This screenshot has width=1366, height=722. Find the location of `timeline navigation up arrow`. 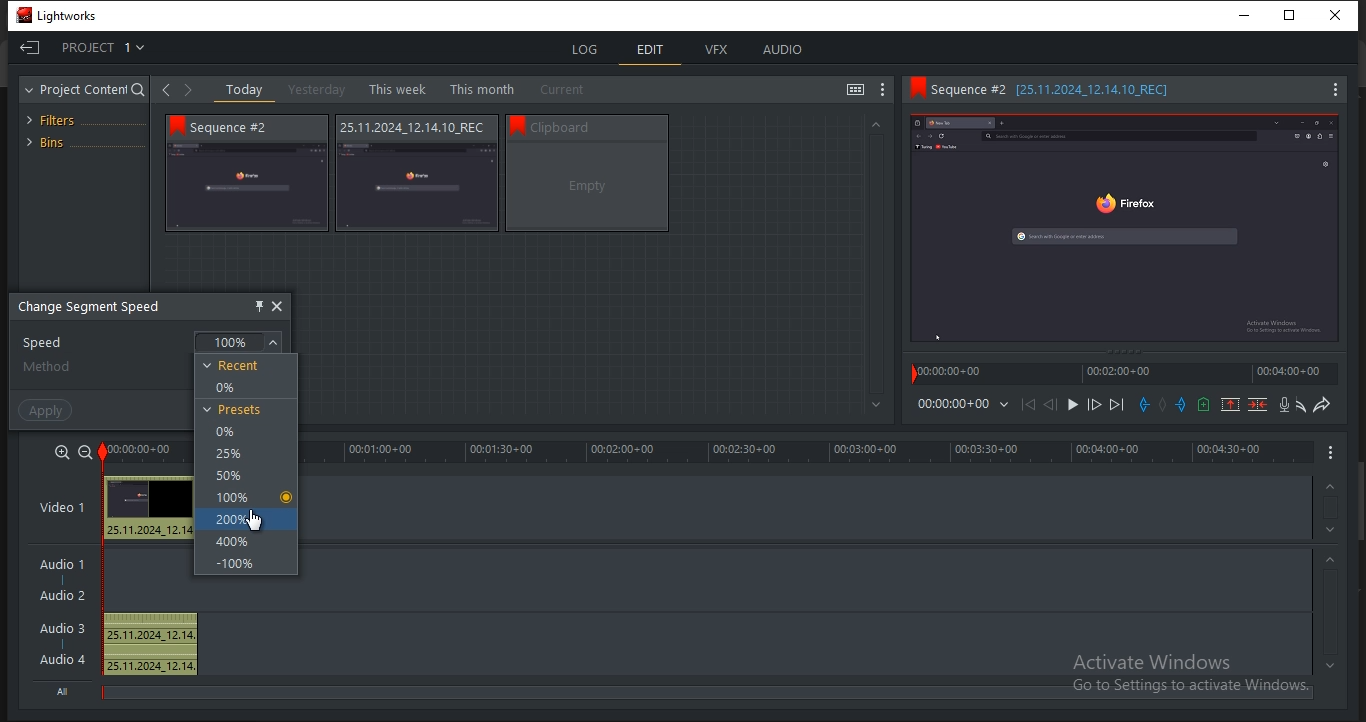

timeline navigation up arrow is located at coordinates (1338, 665).